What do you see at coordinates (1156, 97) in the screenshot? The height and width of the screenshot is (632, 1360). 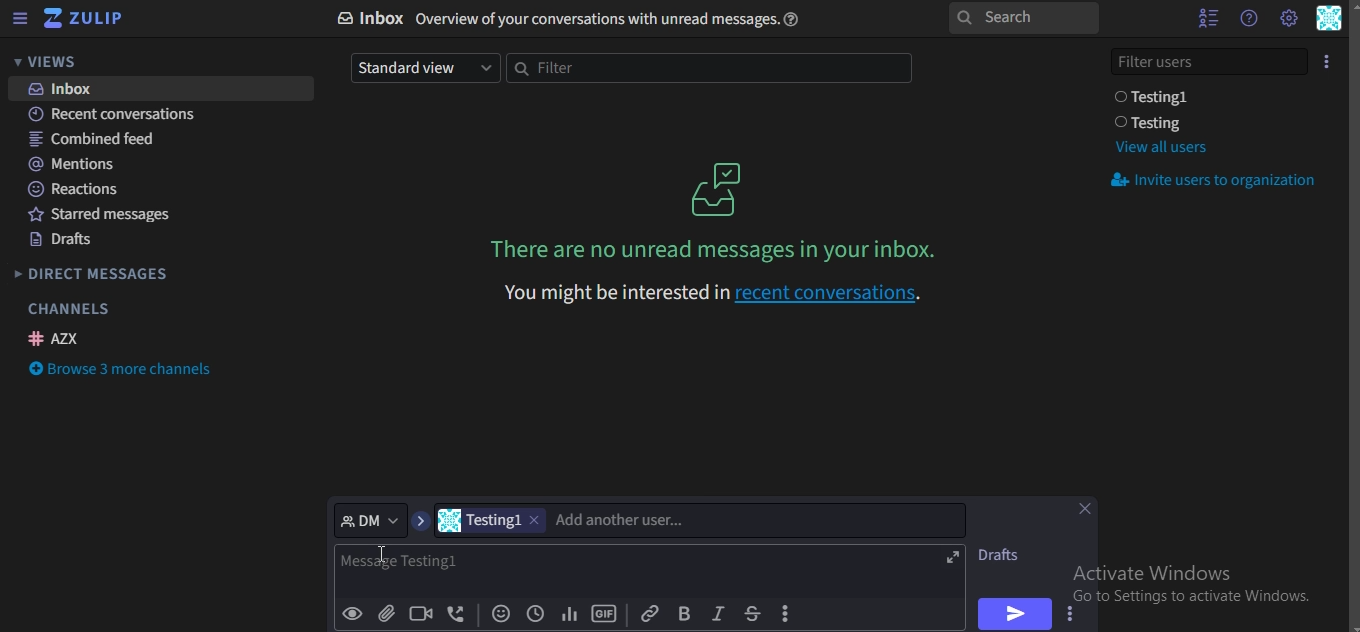 I see `testing1` at bounding box center [1156, 97].